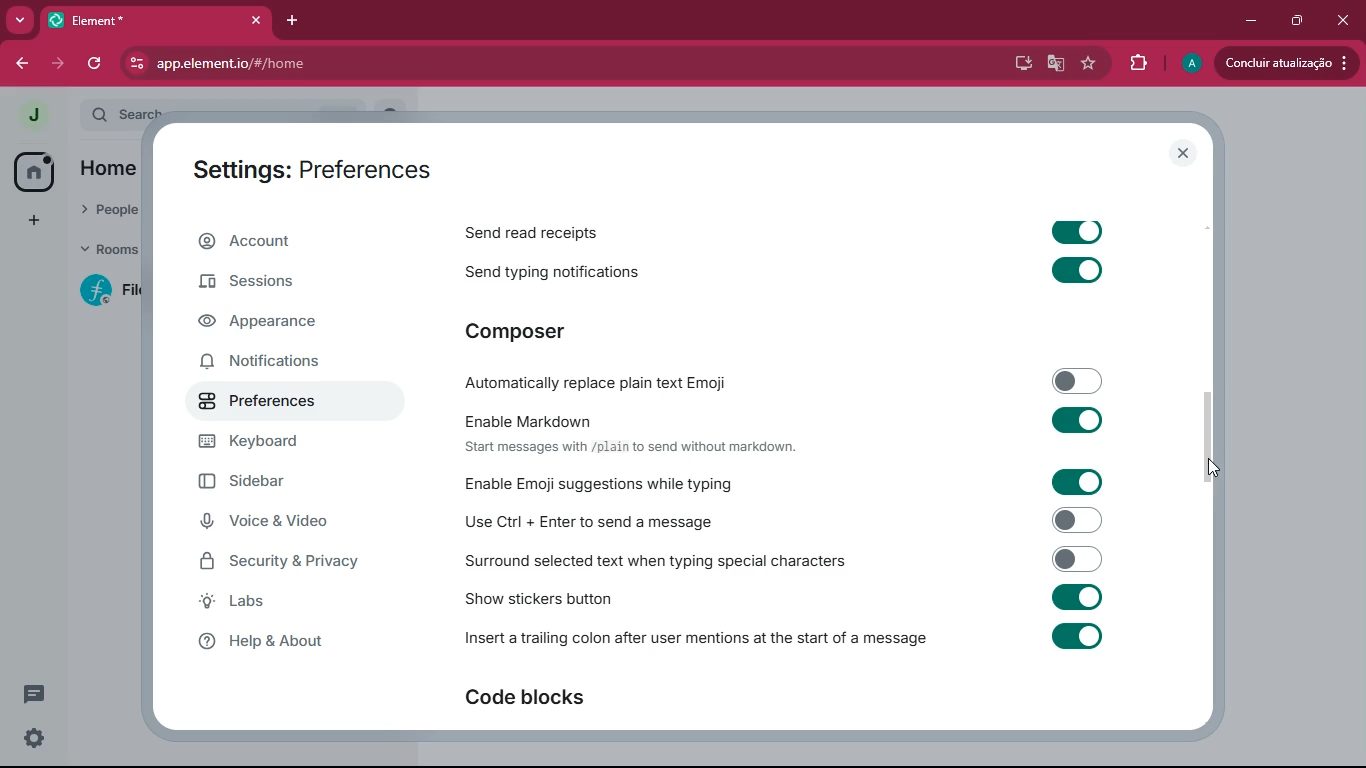  Describe the element at coordinates (277, 365) in the screenshot. I see `notifications` at that location.